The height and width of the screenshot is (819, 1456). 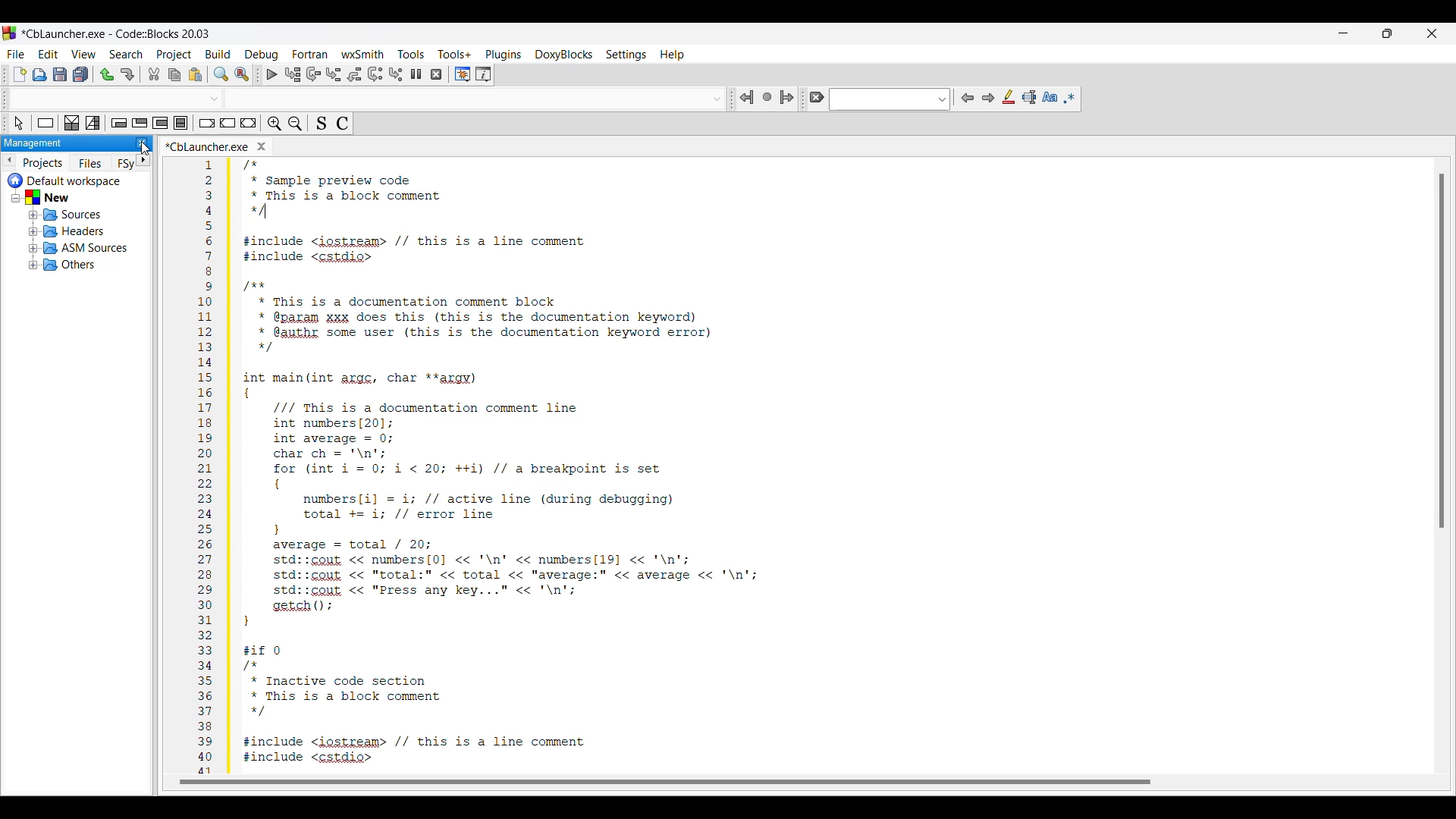 I want to click on wxSmith menu, so click(x=362, y=54).